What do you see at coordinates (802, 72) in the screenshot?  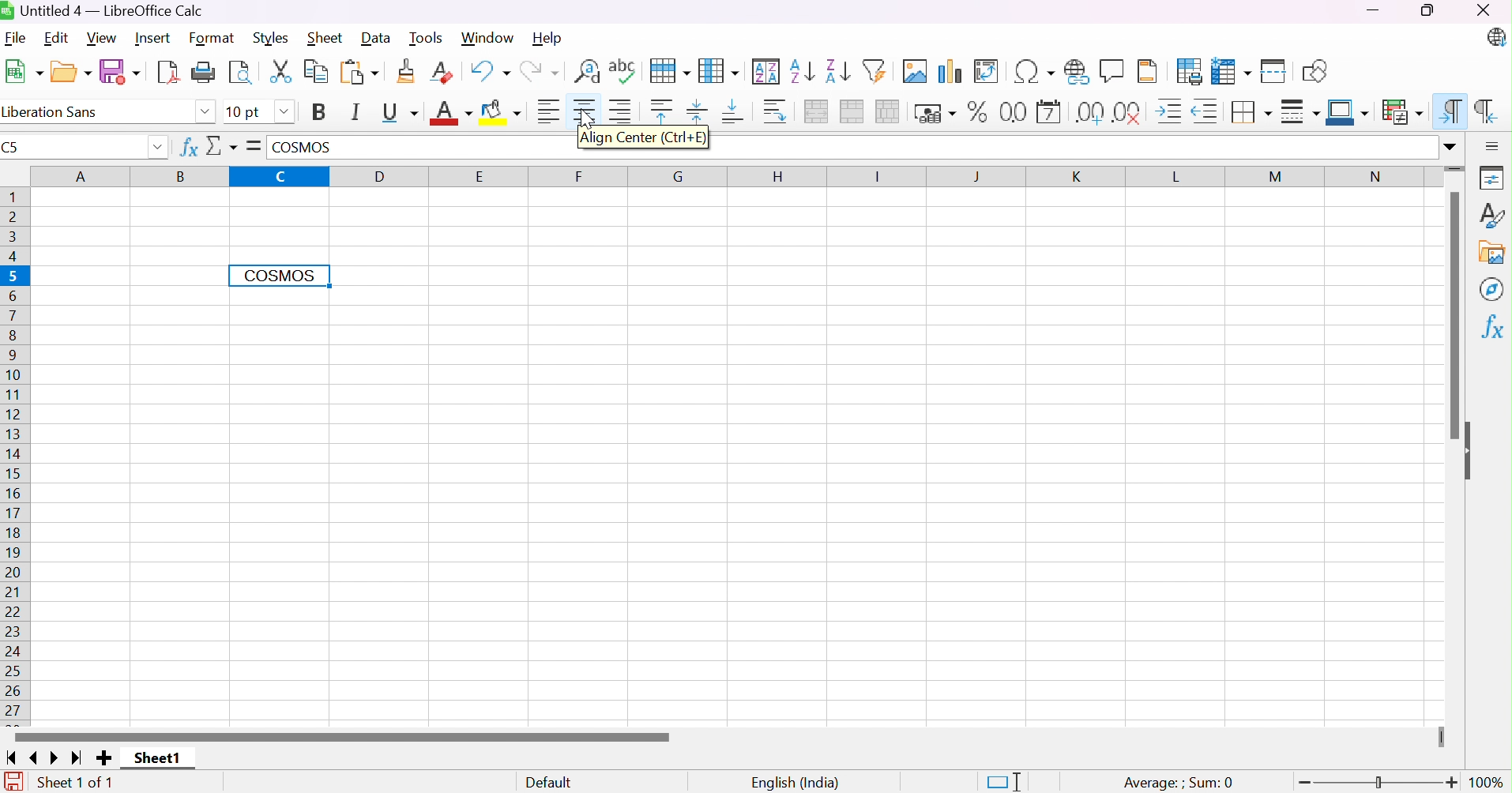 I see `Sort Ascending` at bounding box center [802, 72].